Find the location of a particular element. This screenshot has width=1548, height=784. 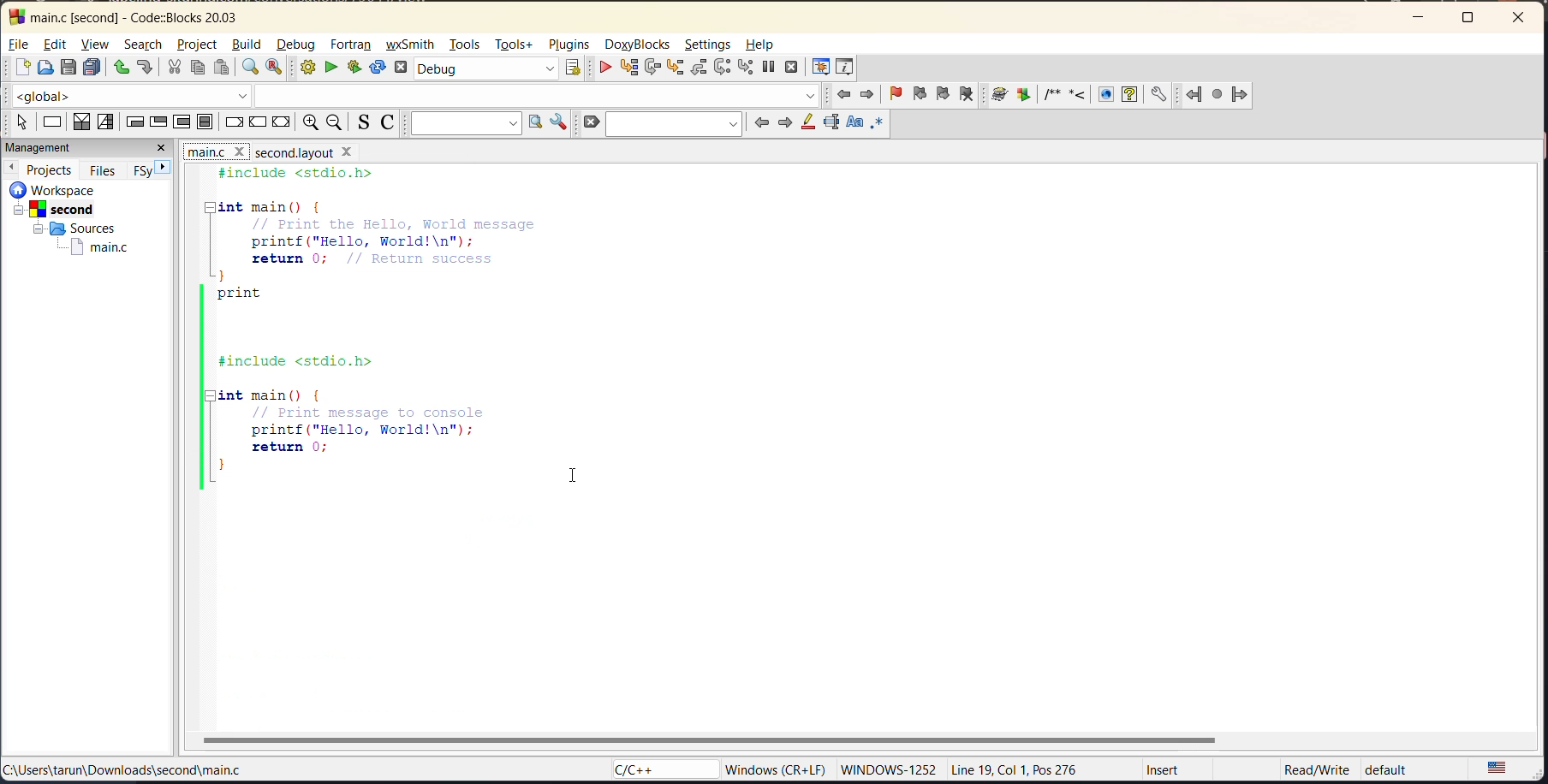

cut is located at coordinates (173, 68).